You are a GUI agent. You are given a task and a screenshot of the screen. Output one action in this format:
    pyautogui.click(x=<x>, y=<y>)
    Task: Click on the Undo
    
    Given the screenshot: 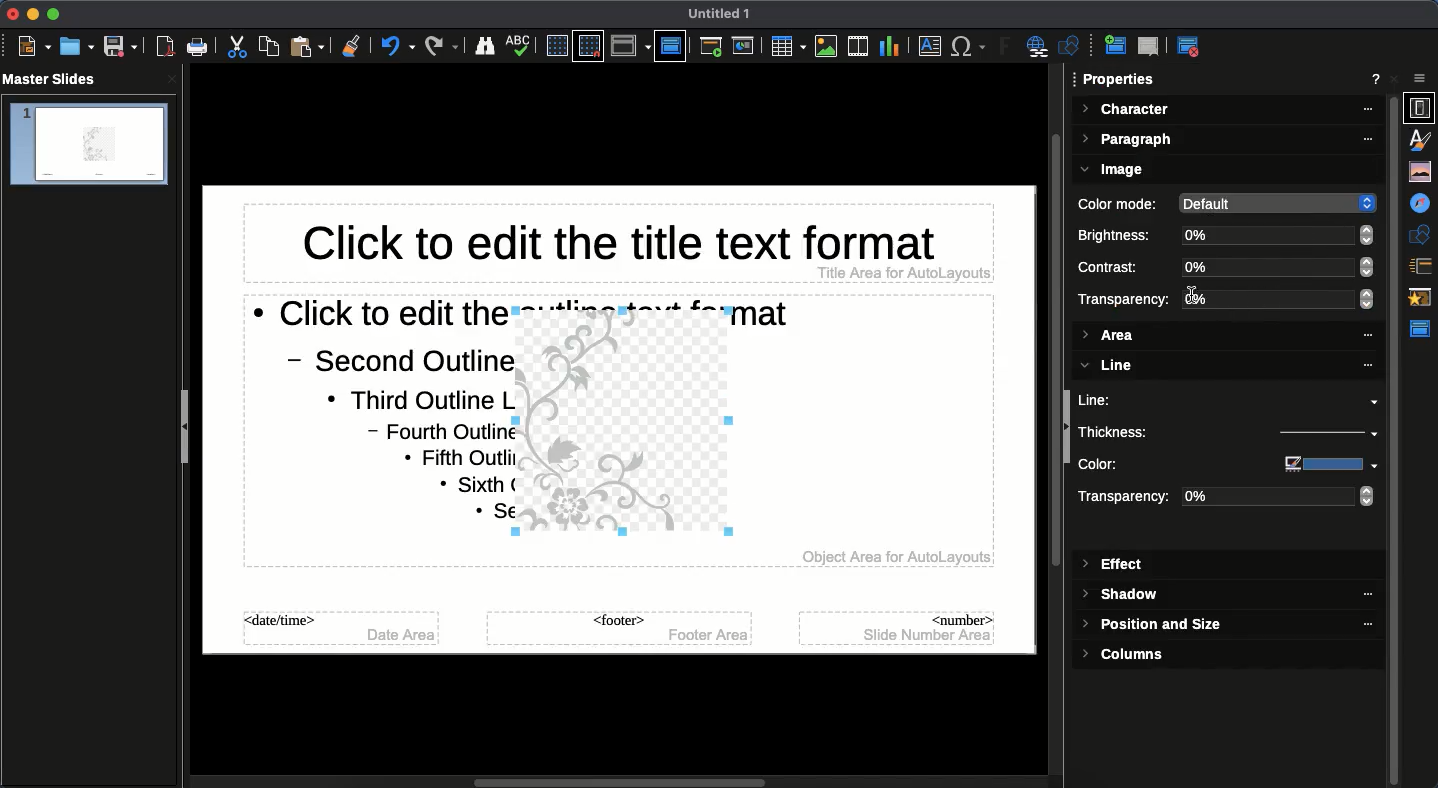 What is the action you would take?
    pyautogui.click(x=397, y=46)
    